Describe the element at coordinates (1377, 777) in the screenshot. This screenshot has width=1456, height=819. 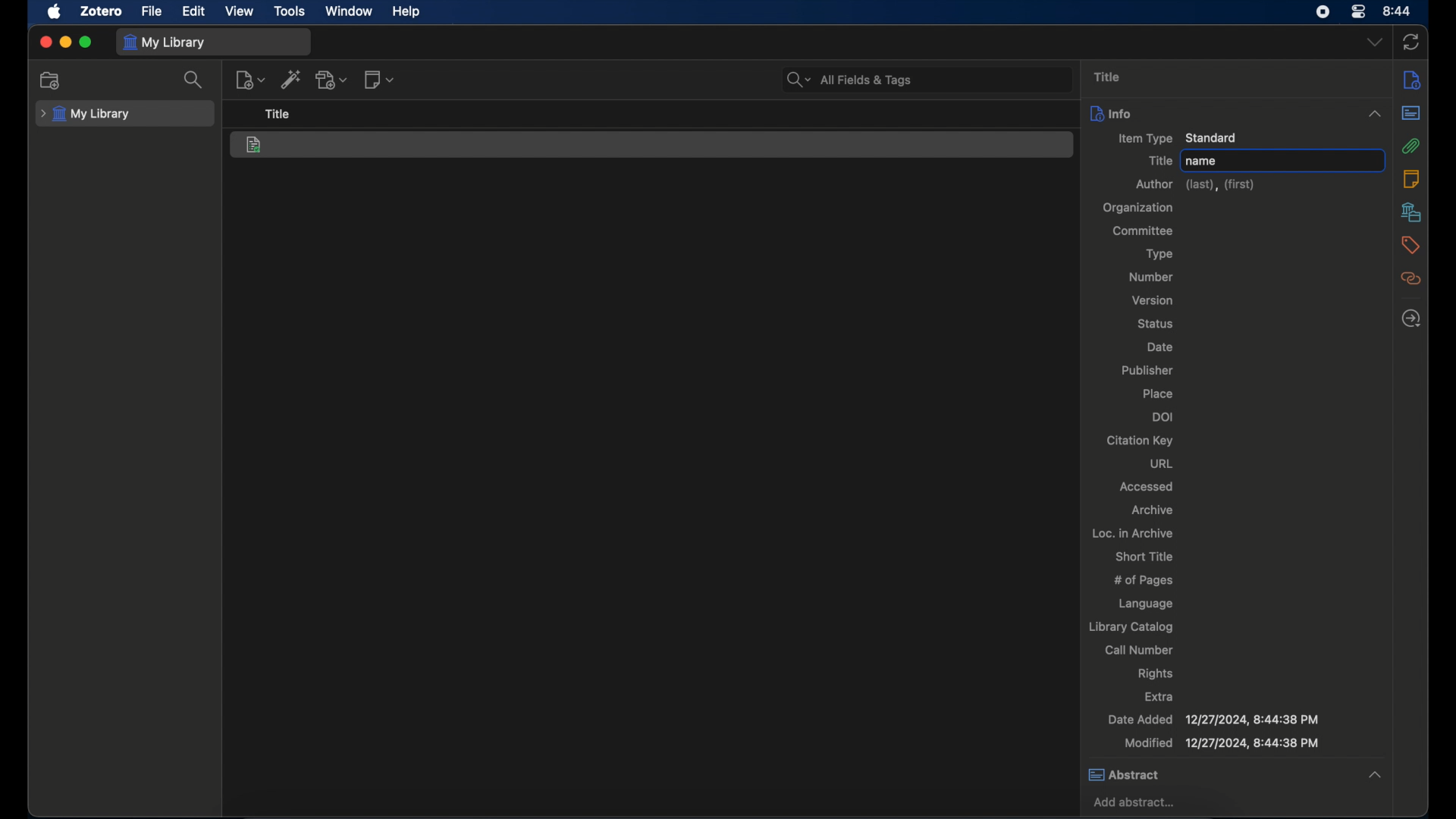
I see `collapse` at that location.